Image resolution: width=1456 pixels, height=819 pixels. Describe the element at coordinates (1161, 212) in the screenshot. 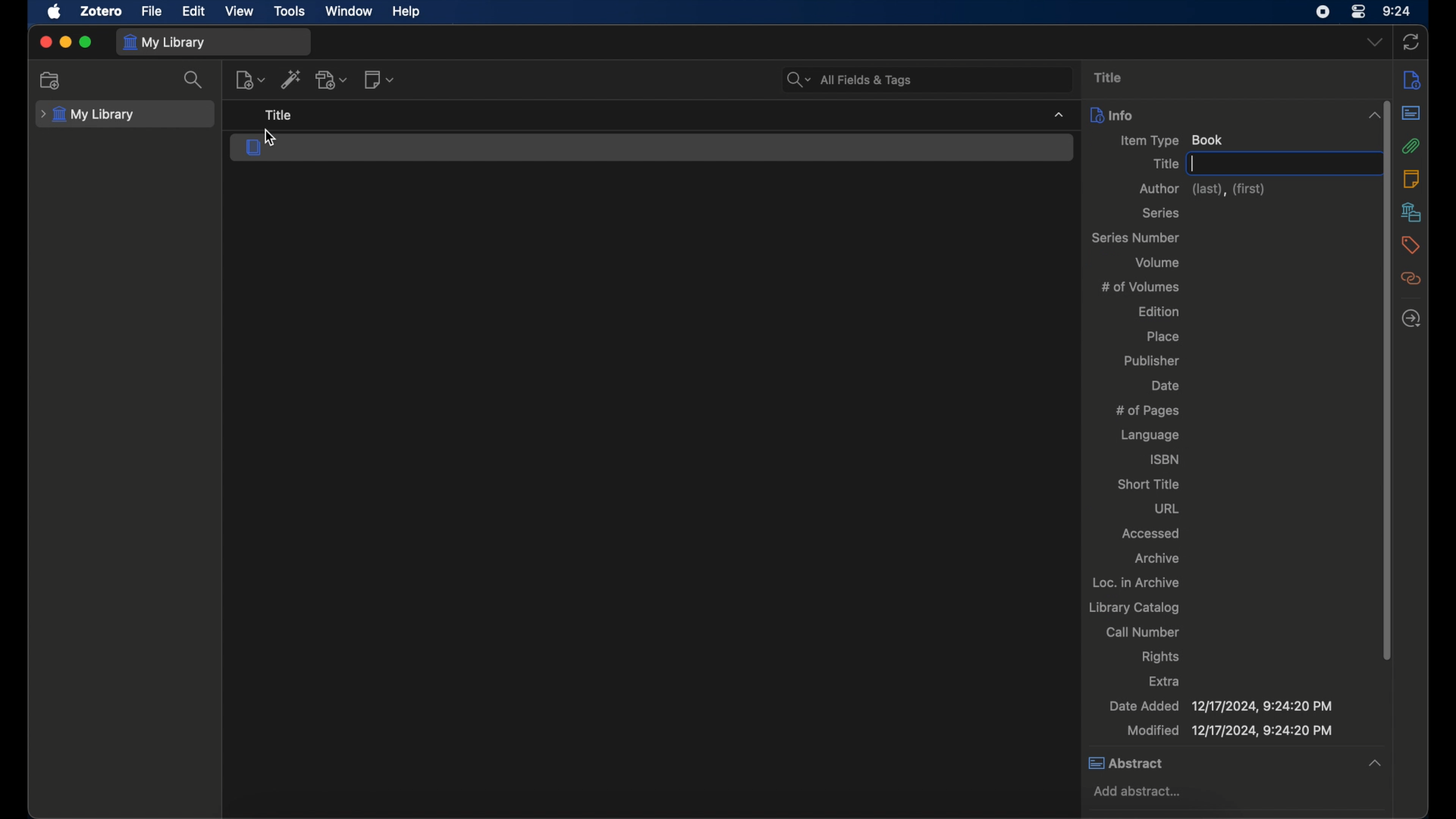

I see `series` at that location.